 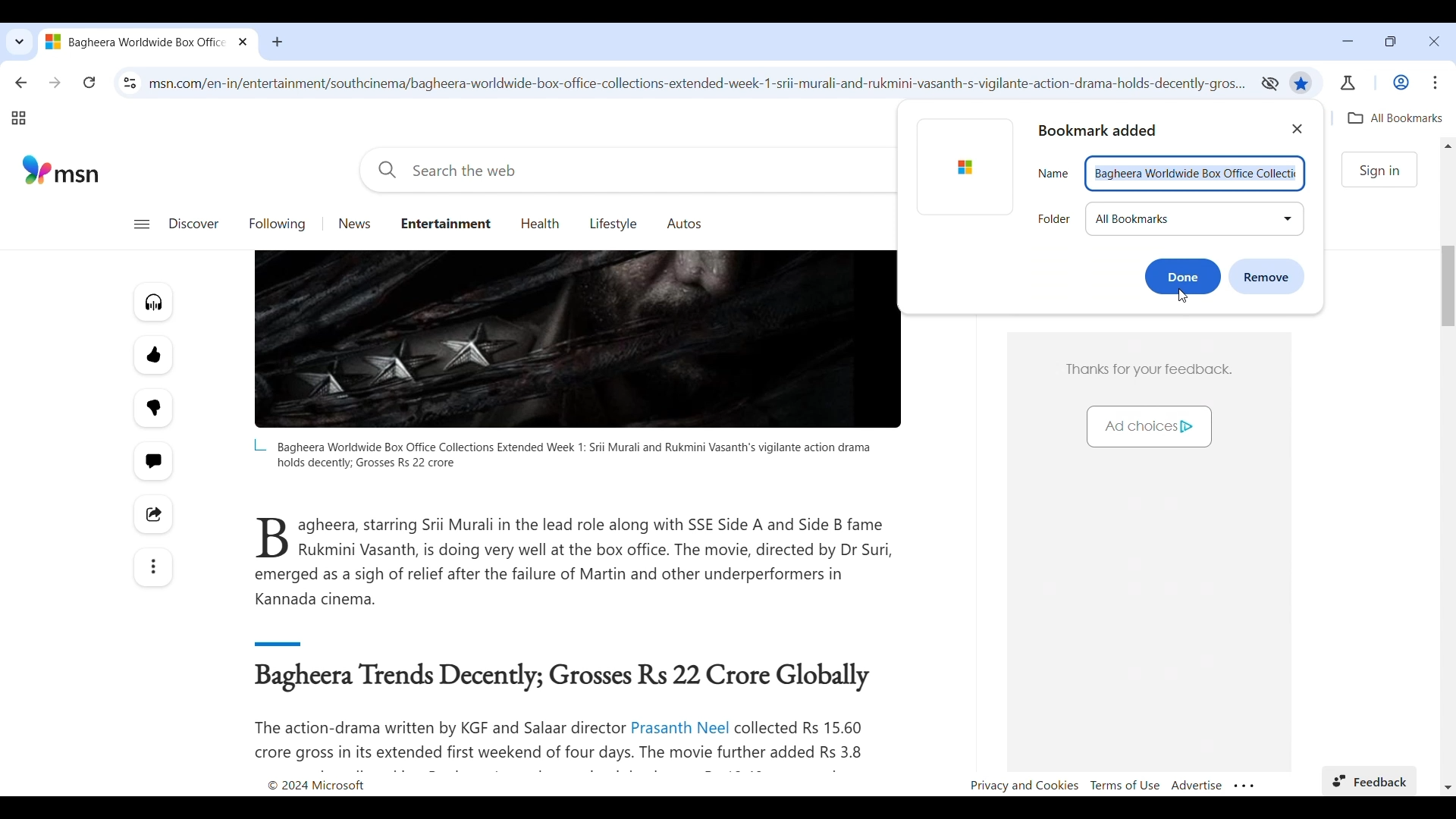 What do you see at coordinates (153, 514) in the screenshot?
I see `Share this story` at bounding box center [153, 514].